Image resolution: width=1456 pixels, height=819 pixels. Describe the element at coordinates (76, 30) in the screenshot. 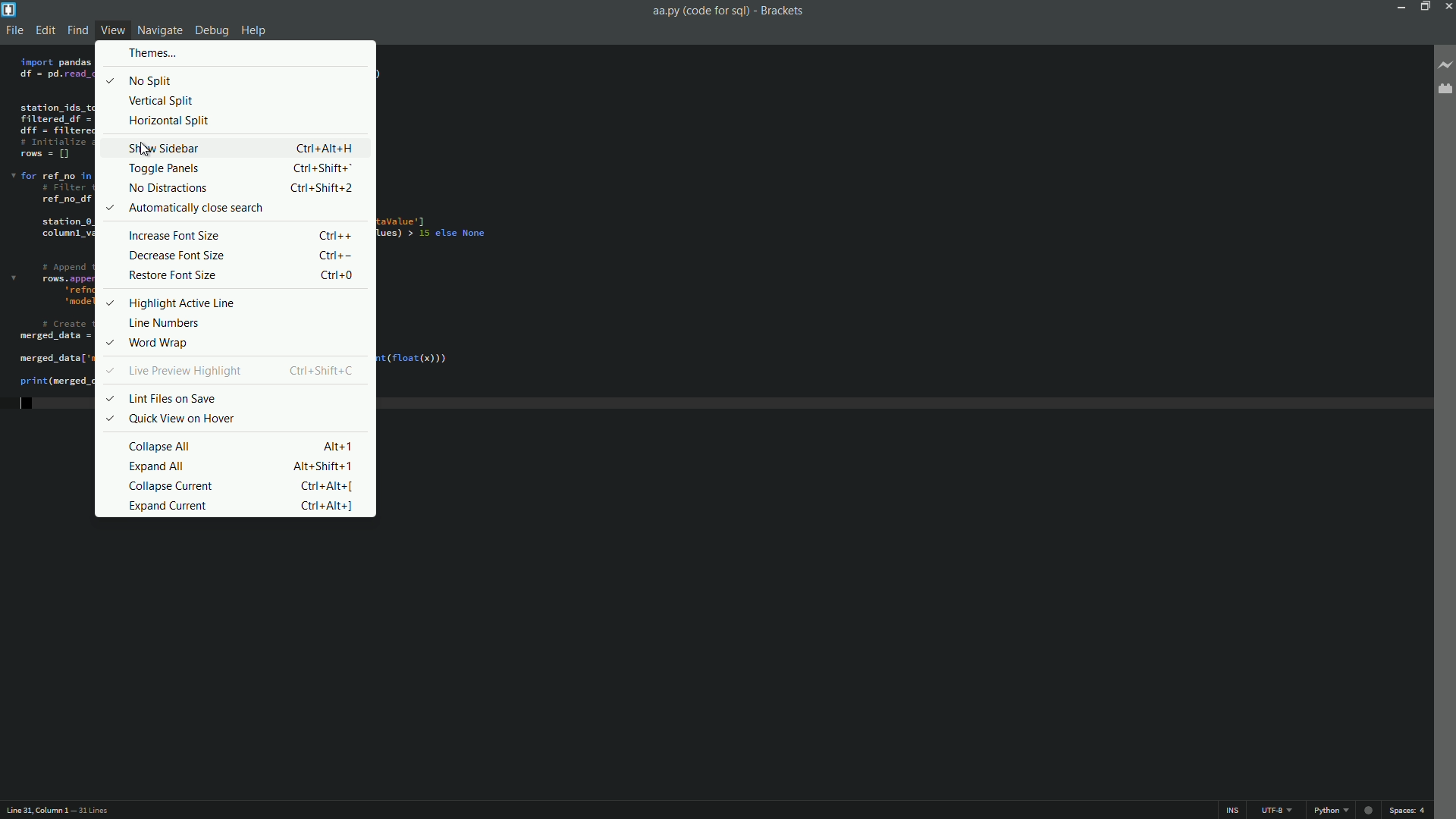

I see `find menu` at that location.